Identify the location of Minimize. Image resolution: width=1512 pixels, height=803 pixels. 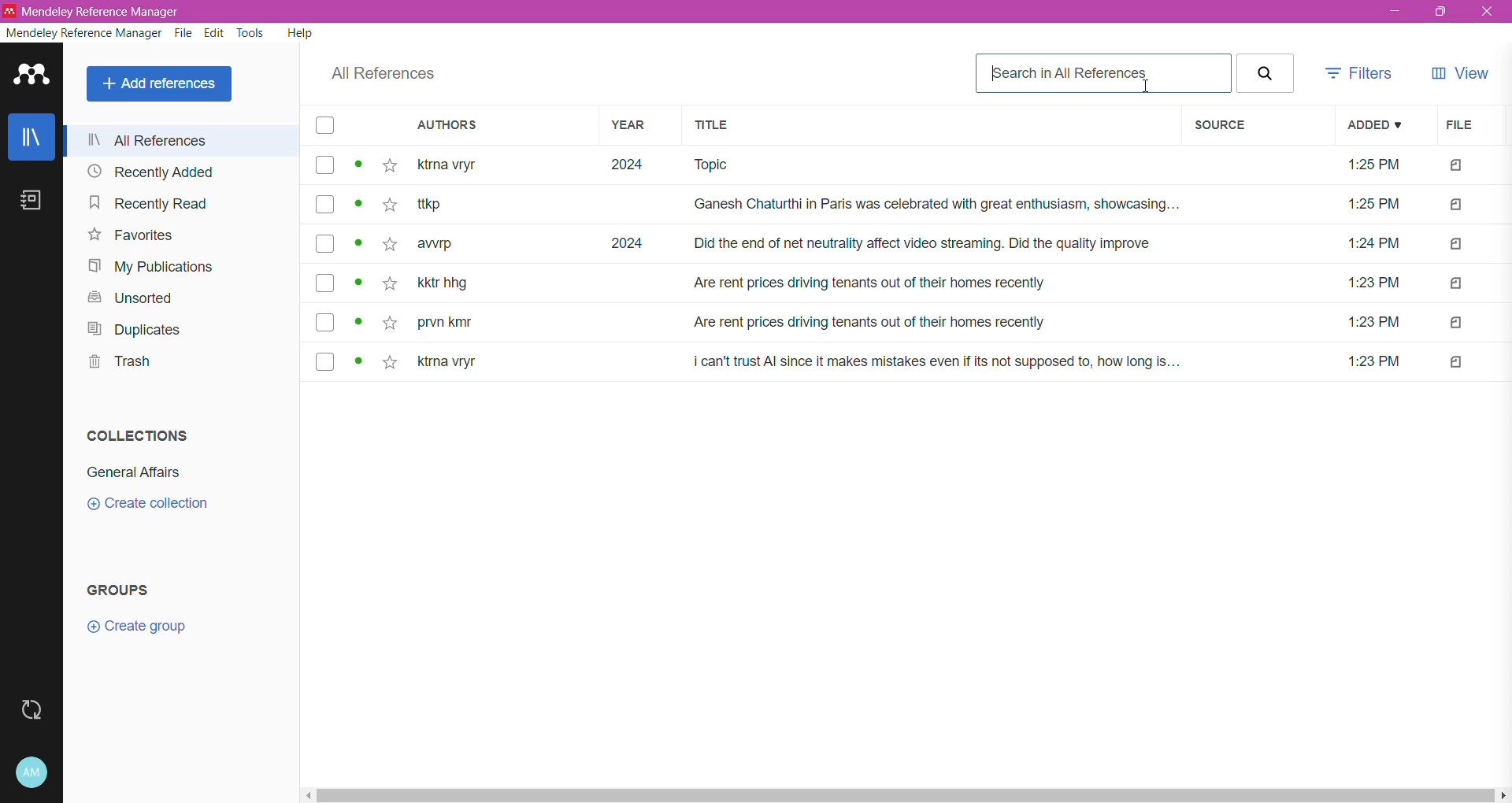
(1394, 12).